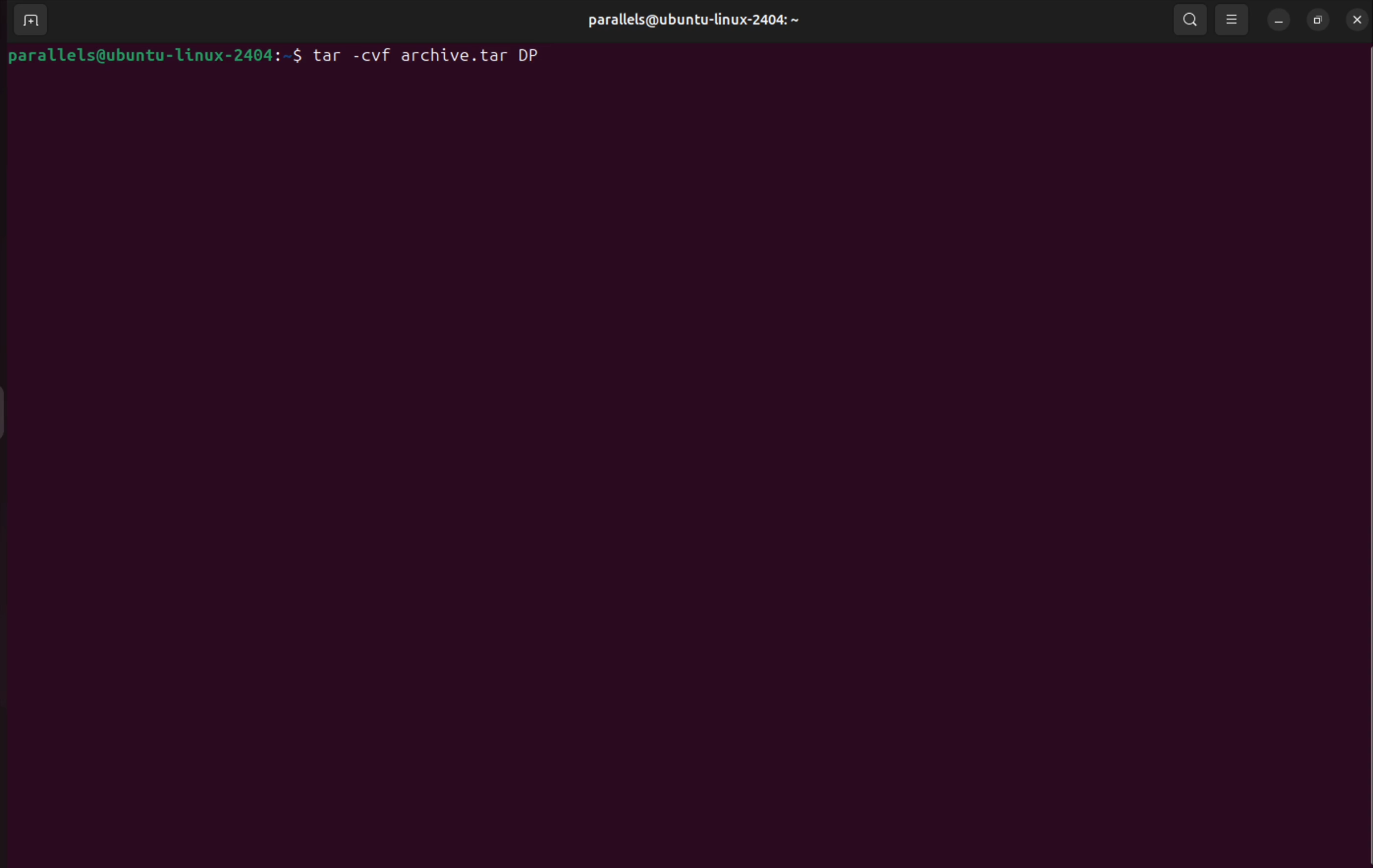  What do you see at coordinates (1359, 19) in the screenshot?
I see `close` at bounding box center [1359, 19].